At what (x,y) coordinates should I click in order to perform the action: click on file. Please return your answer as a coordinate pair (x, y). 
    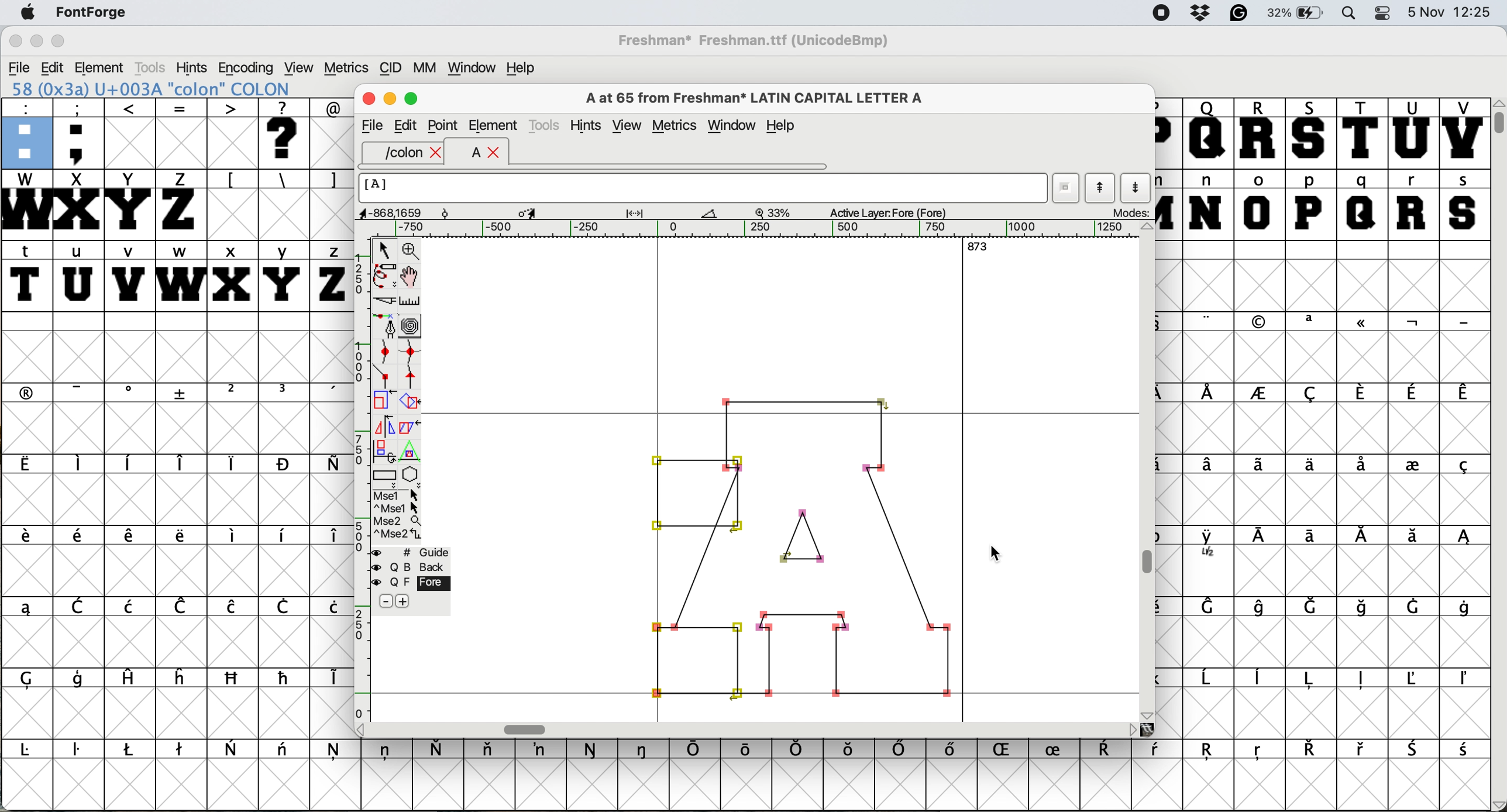
    Looking at the image, I should click on (18, 66).